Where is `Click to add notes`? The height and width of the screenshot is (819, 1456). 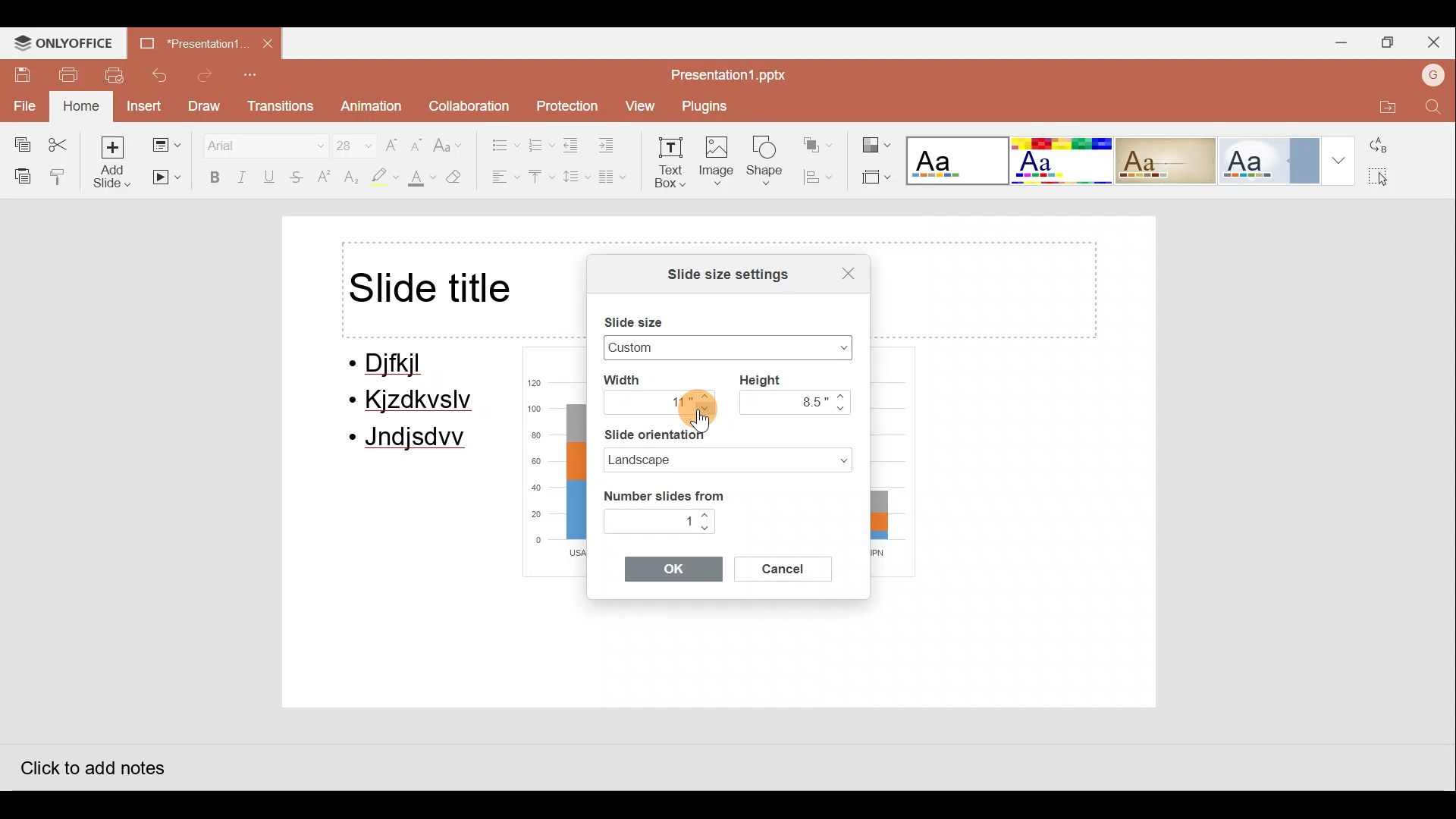 Click to add notes is located at coordinates (90, 764).